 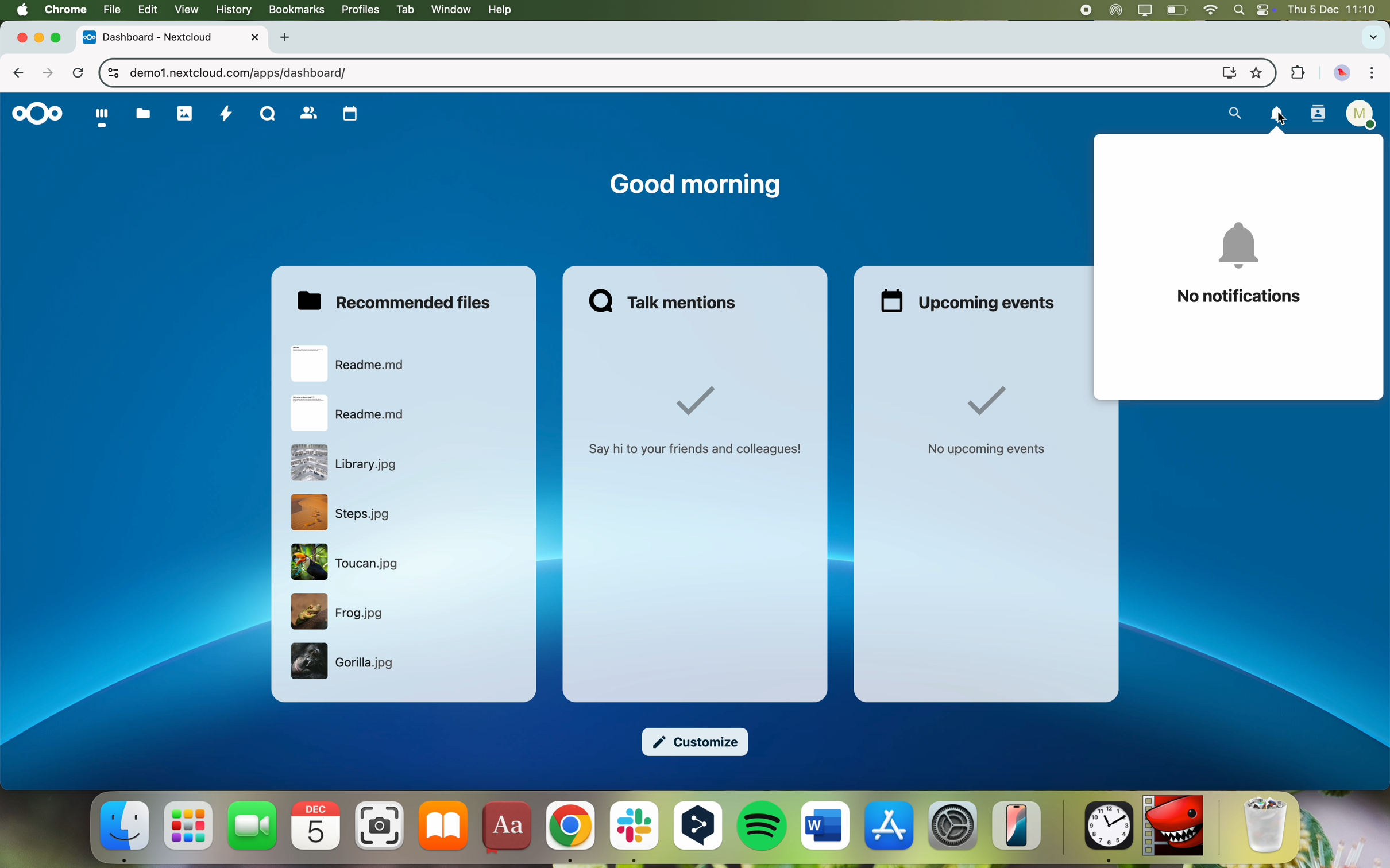 I want to click on file, so click(x=346, y=663).